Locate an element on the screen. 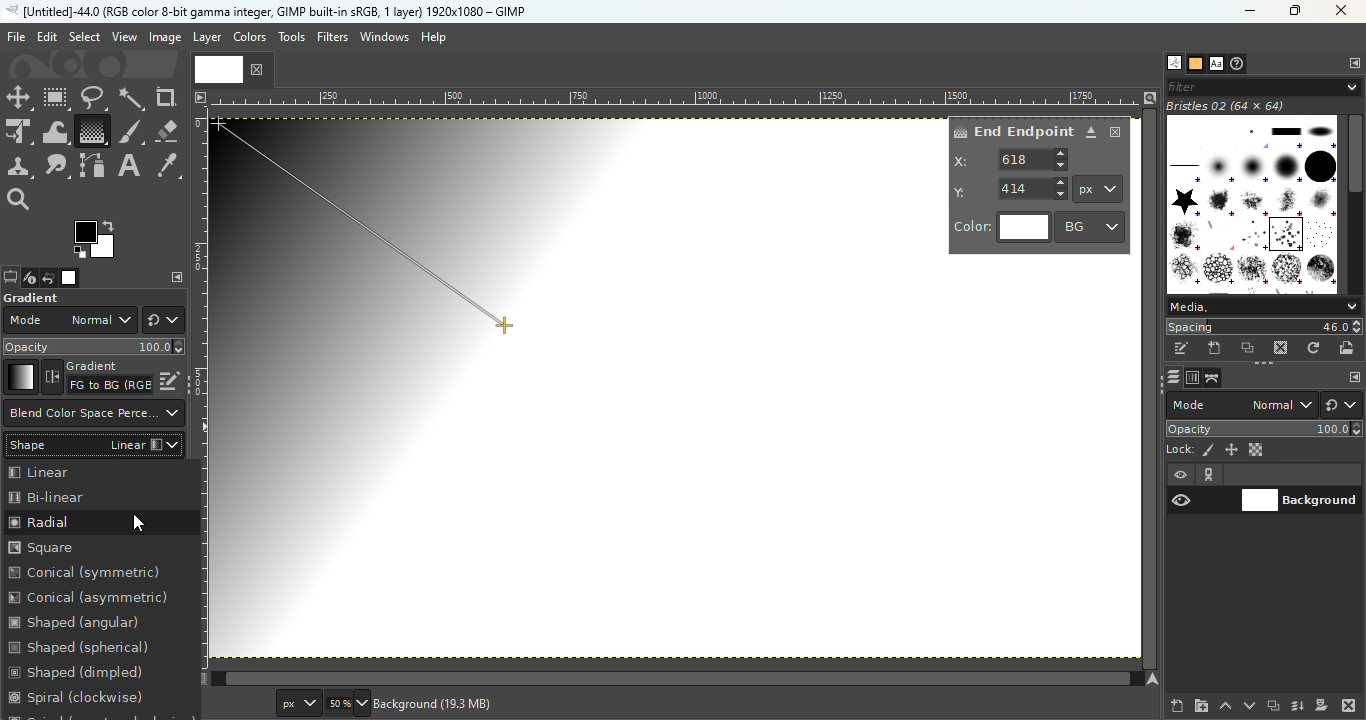 This screenshot has width=1366, height=720. Reverse is located at coordinates (97, 377).